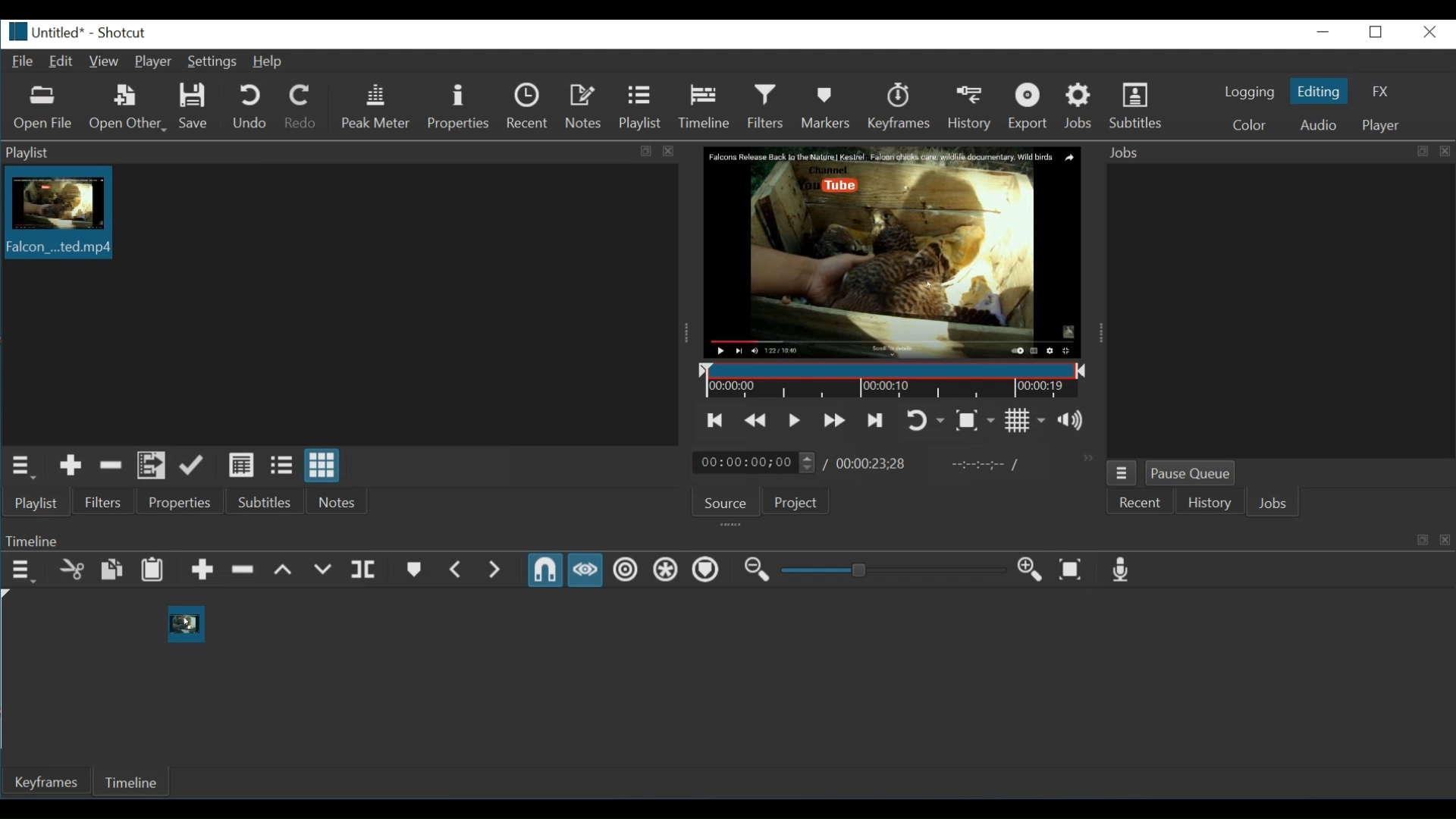 The image size is (1456, 819). What do you see at coordinates (24, 571) in the screenshot?
I see `Timeline menu` at bounding box center [24, 571].